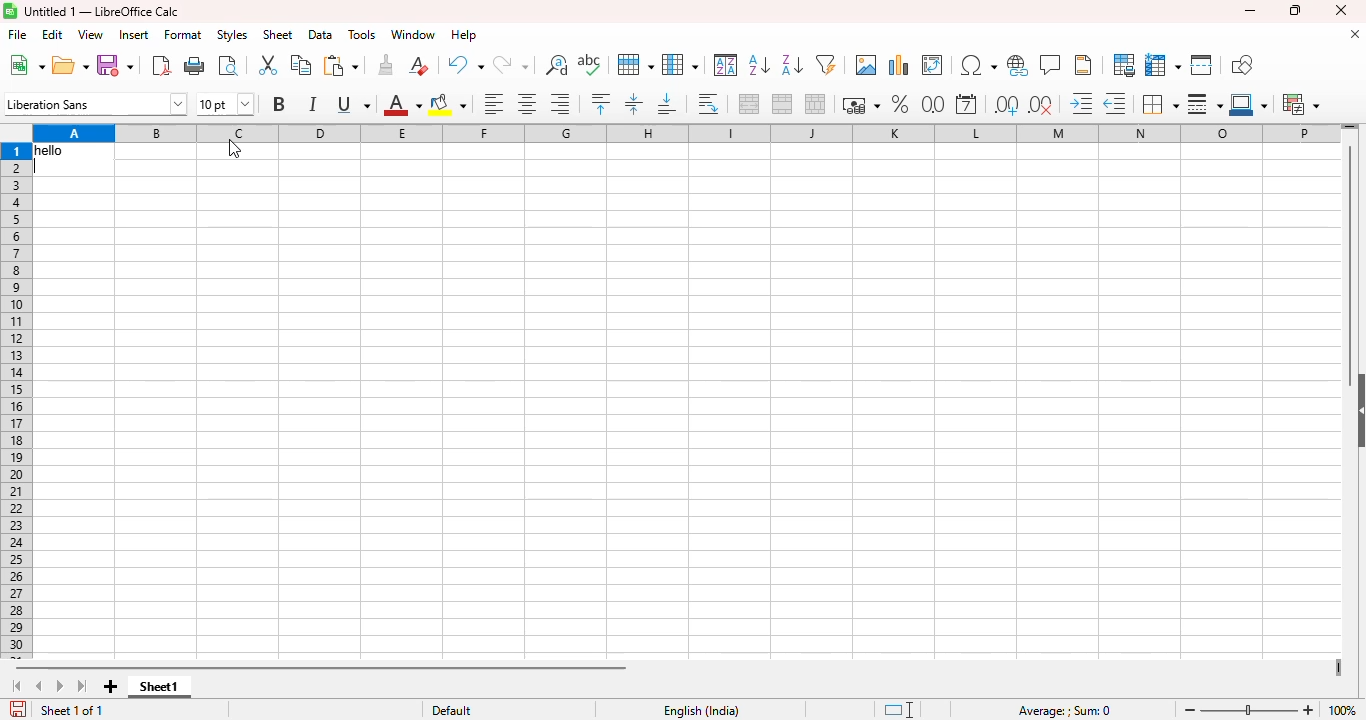  Describe the element at coordinates (1042, 105) in the screenshot. I see `delete decimal` at that location.